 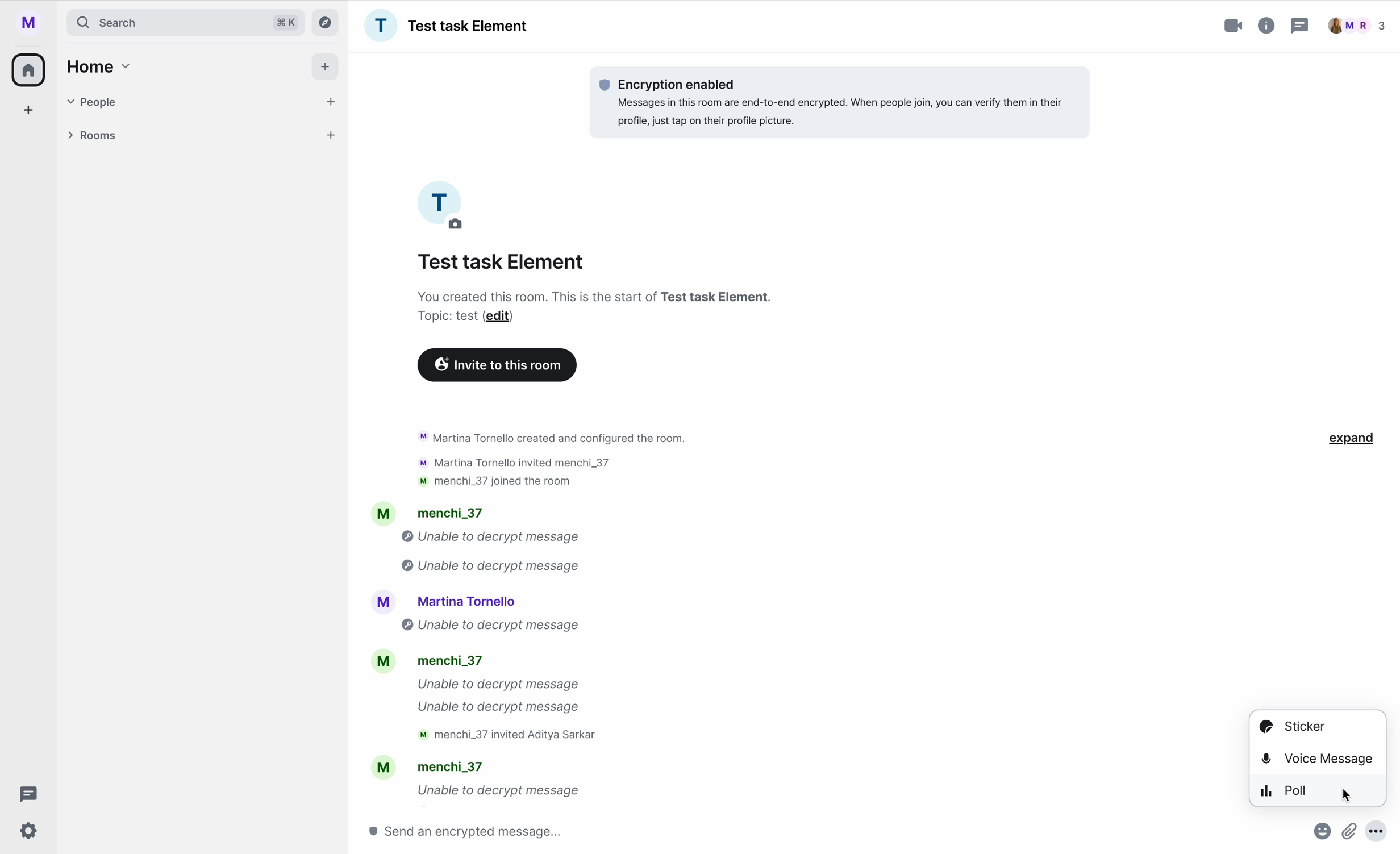 I want to click on voice message, so click(x=1318, y=756).